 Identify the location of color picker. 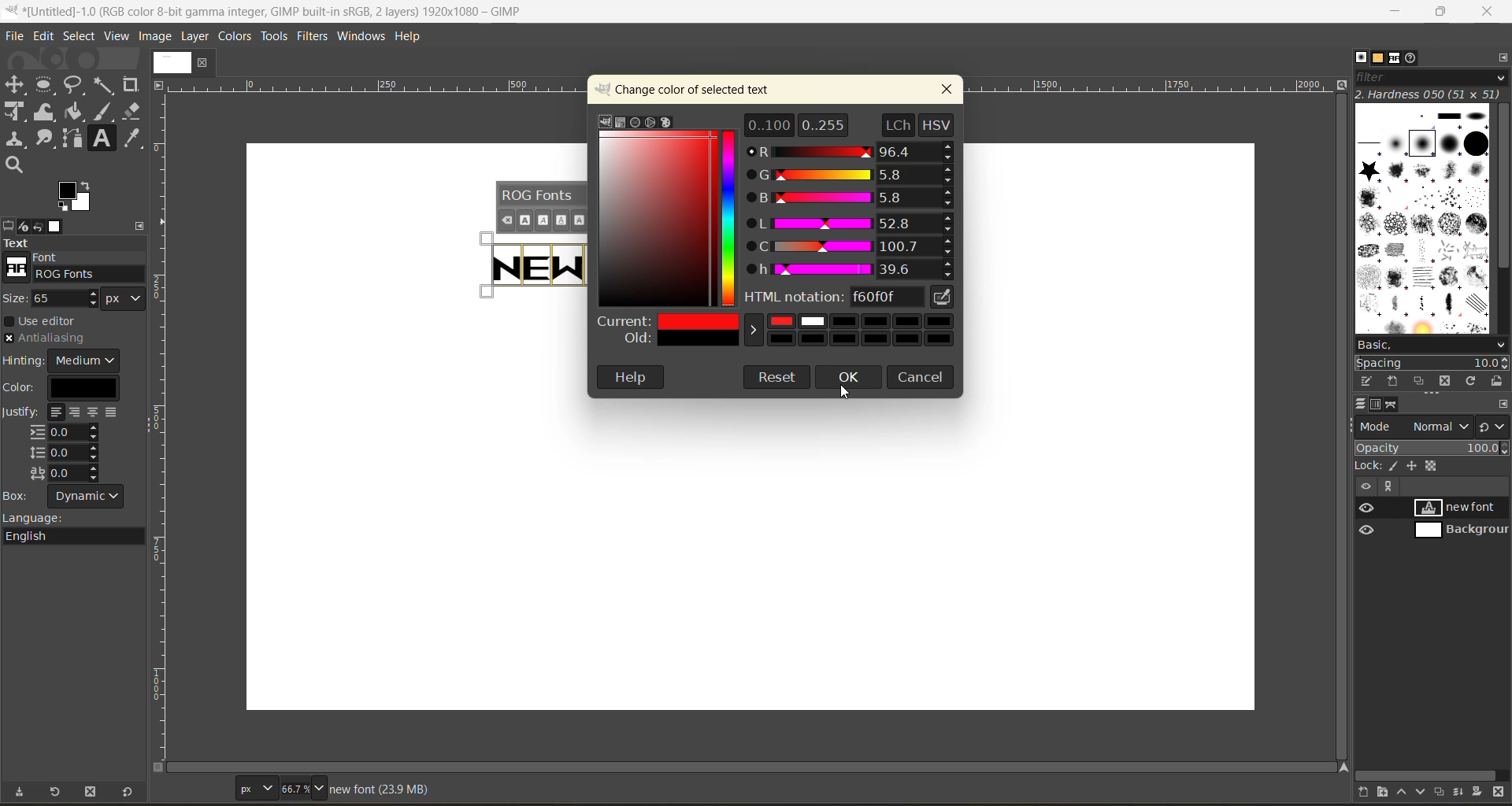
(731, 220).